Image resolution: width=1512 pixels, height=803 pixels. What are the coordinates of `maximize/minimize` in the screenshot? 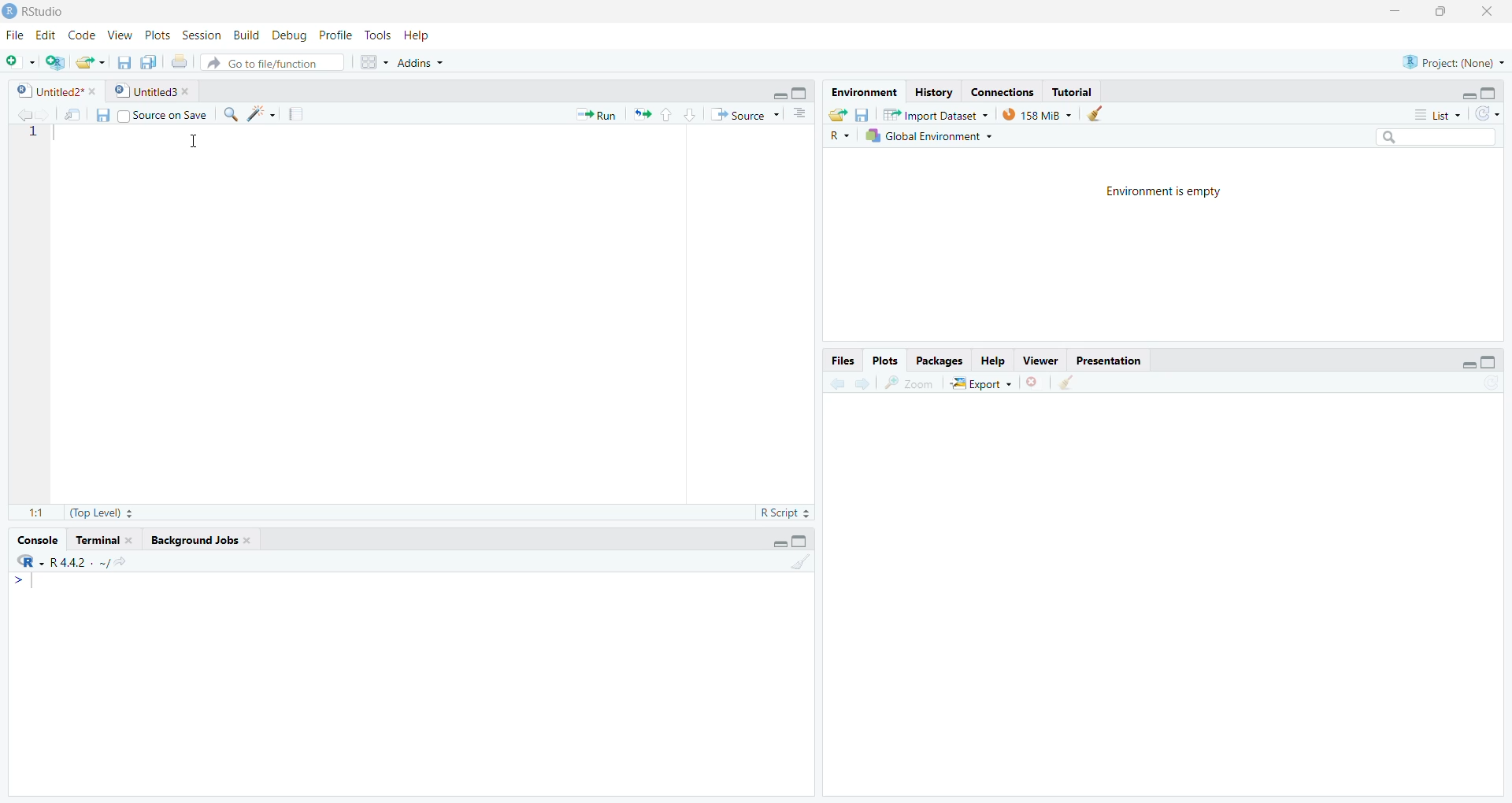 It's located at (798, 538).